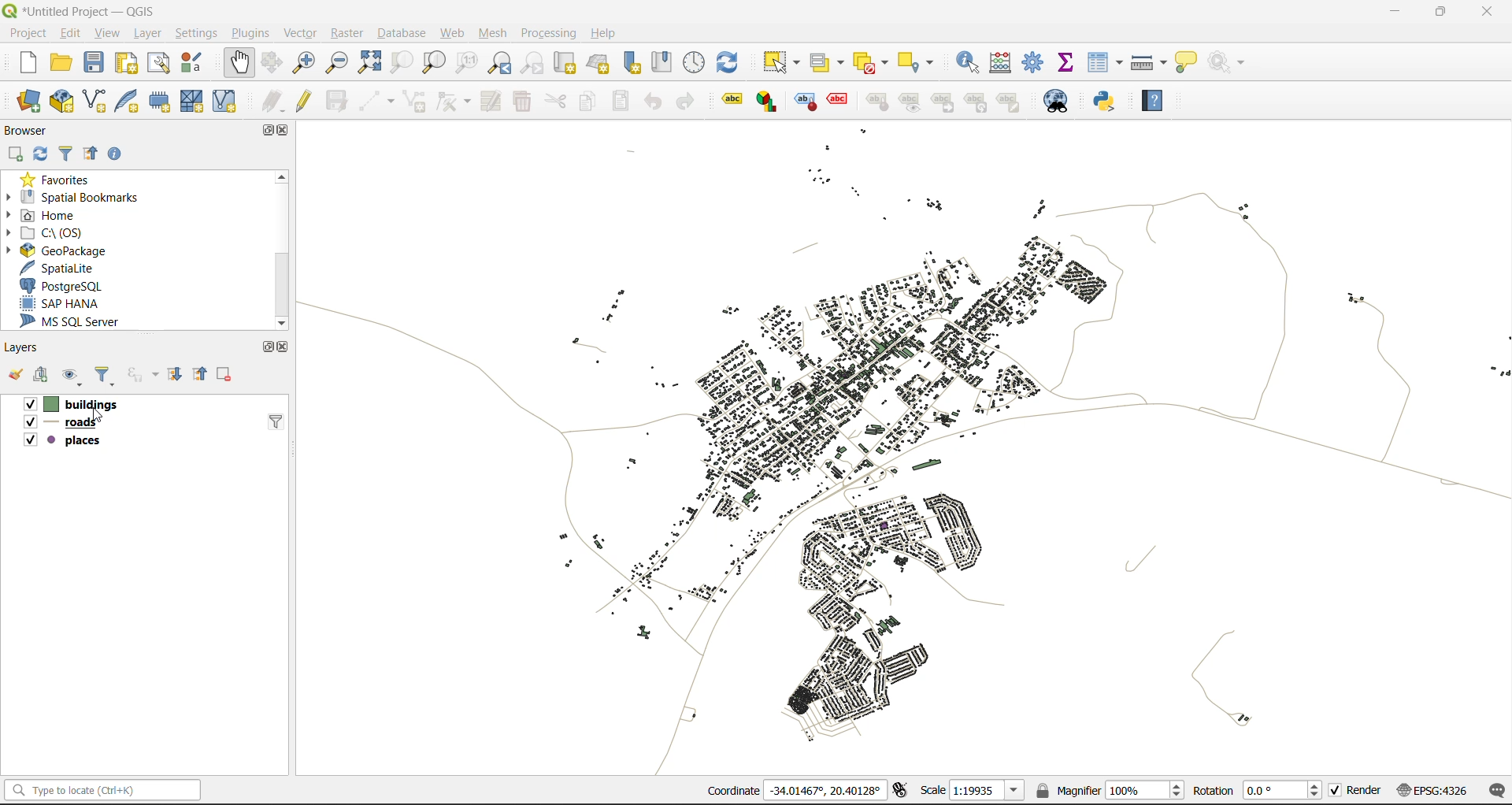  Describe the element at coordinates (131, 99) in the screenshot. I see `new spatialite` at that location.